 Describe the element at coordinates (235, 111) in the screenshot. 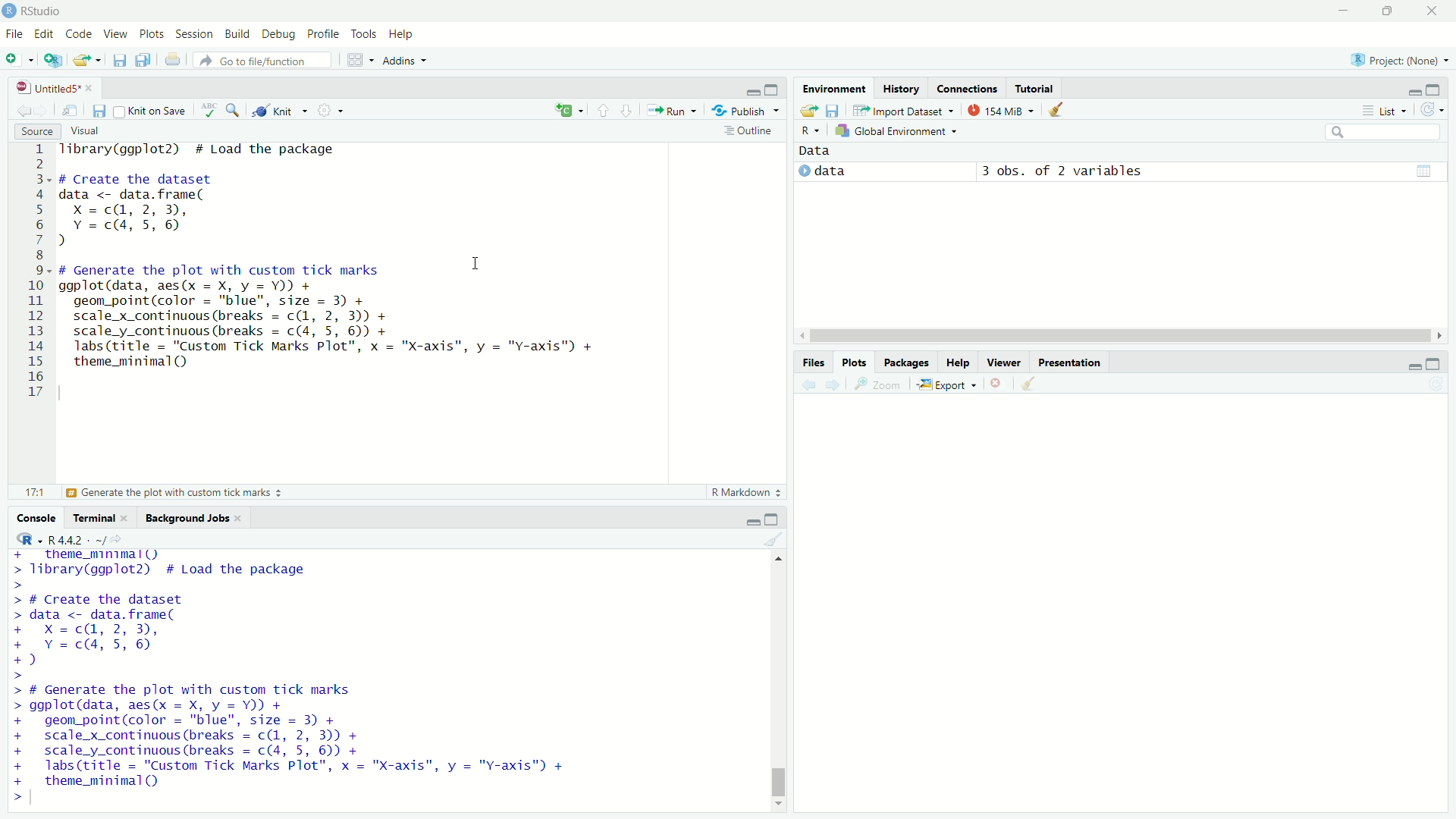

I see `find/replace` at that location.